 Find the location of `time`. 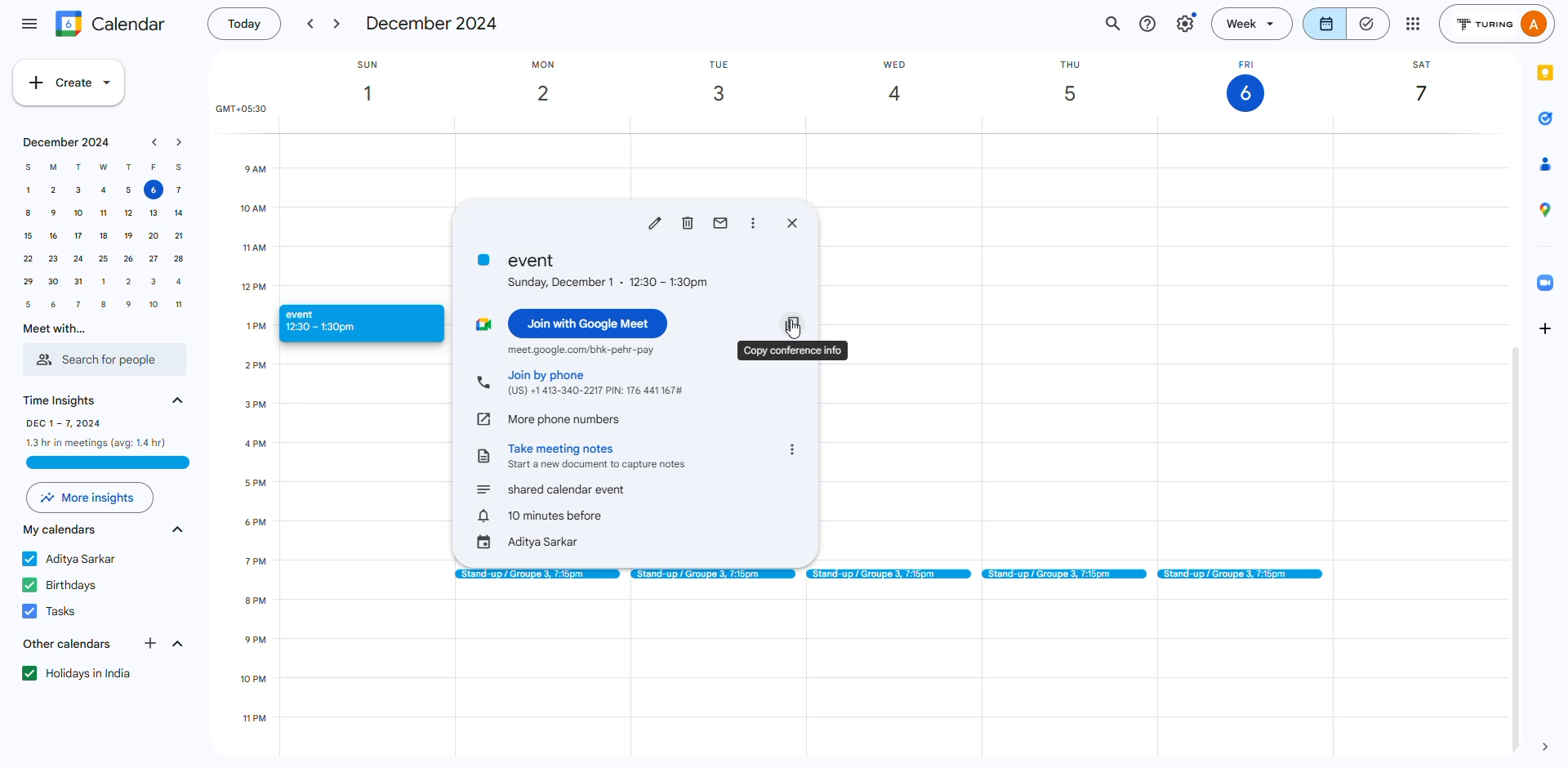

time is located at coordinates (97, 431).